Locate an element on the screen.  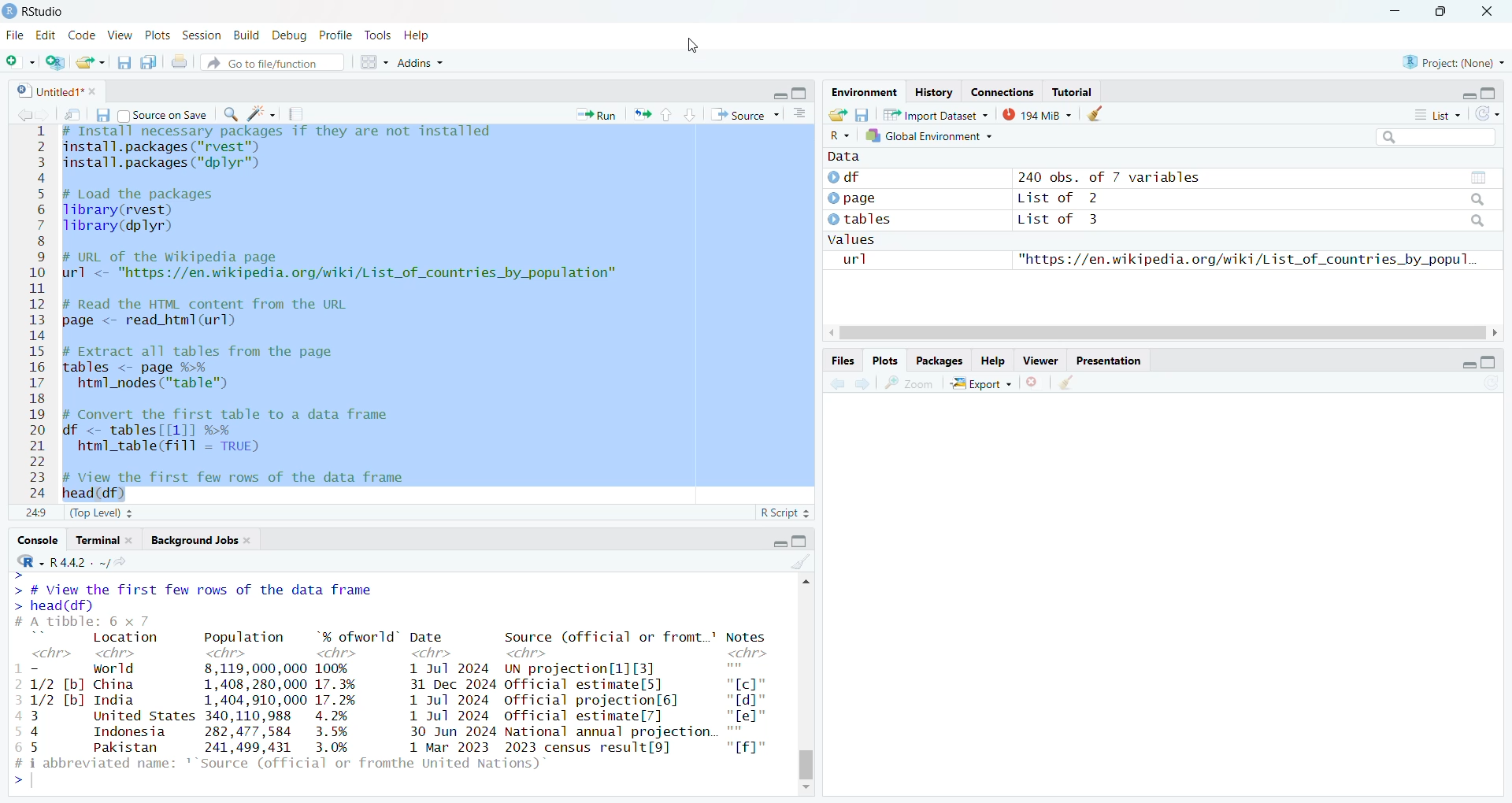
List of 3 is located at coordinates (1062, 220).